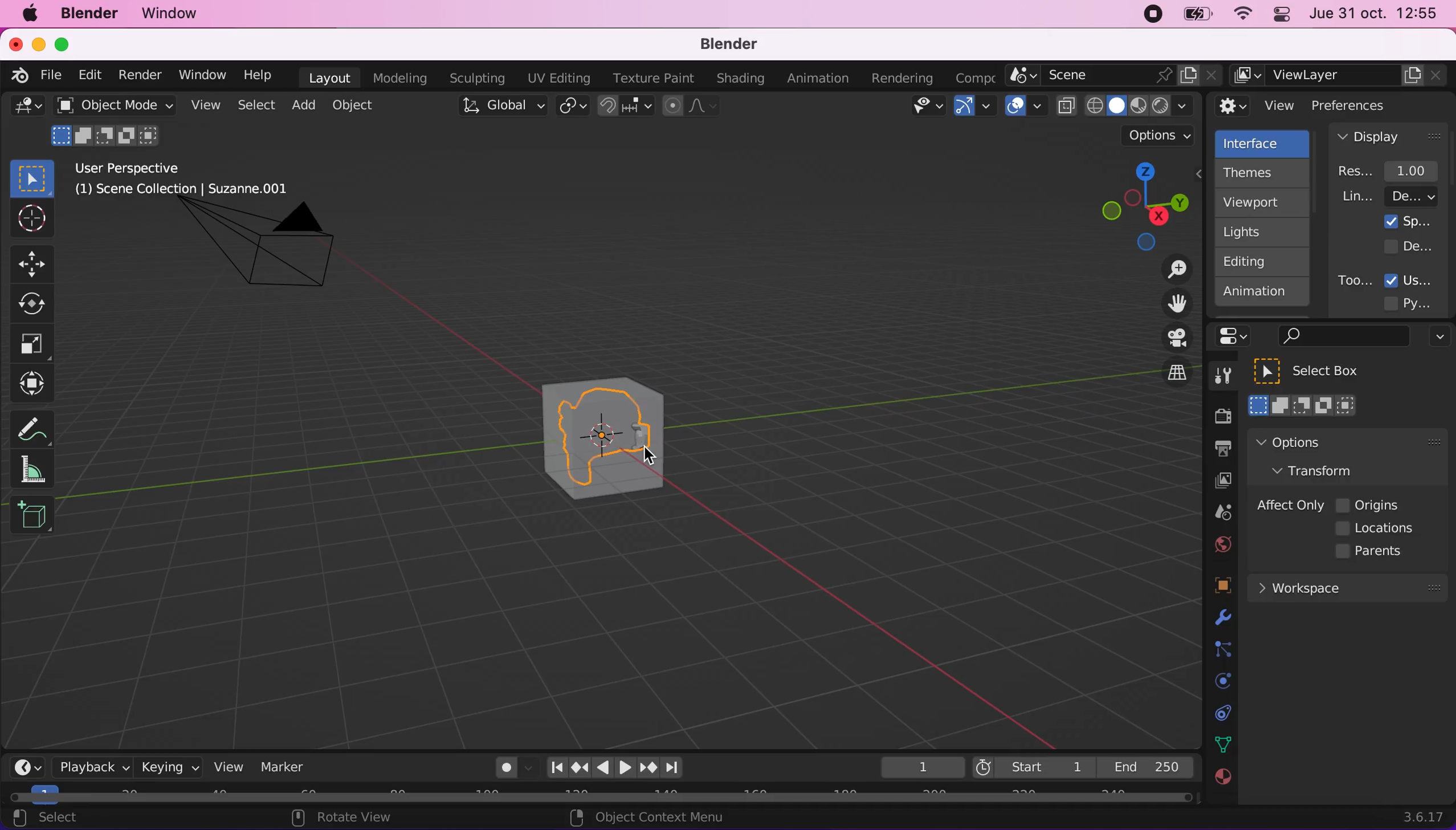 This screenshot has width=1456, height=830. I want to click on gizmos, so click(974, 109).